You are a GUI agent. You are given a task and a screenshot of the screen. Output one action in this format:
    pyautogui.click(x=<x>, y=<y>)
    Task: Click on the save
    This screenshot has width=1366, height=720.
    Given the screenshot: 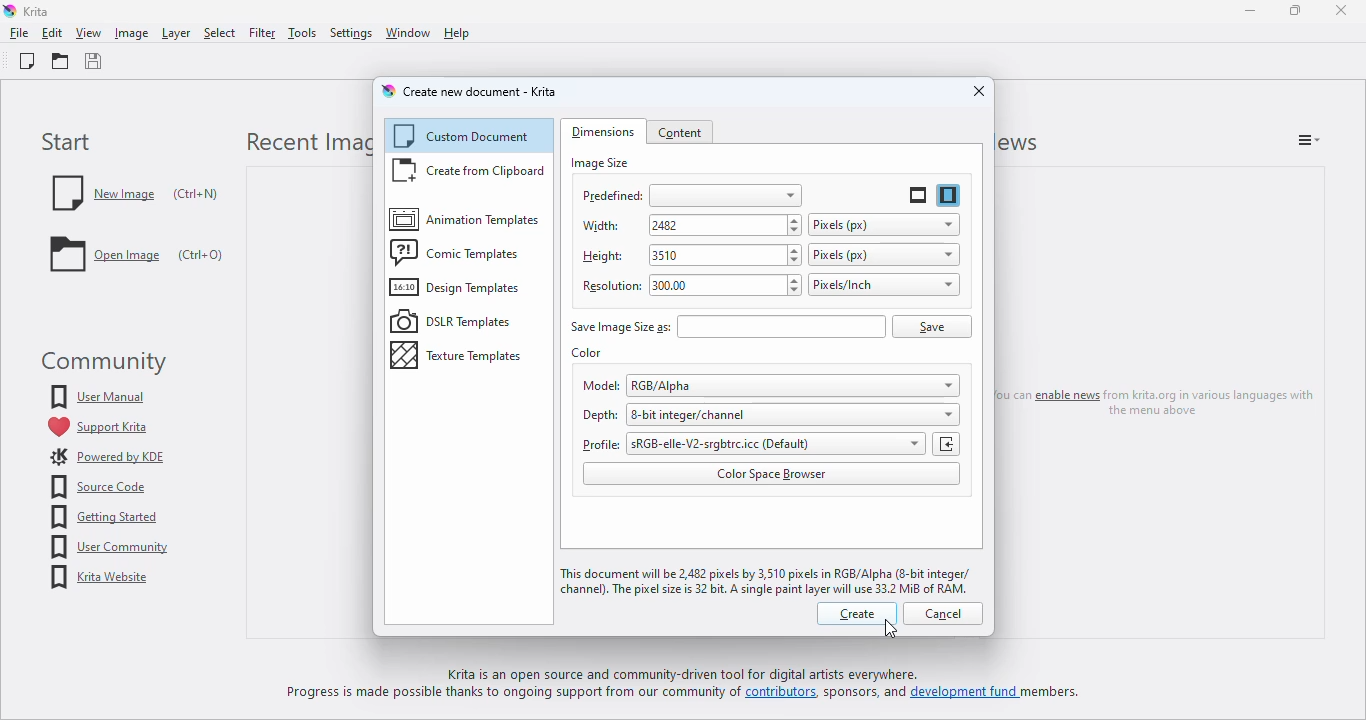 What is the action you would take?
    pyautogui.click(x=94, y=62)
    